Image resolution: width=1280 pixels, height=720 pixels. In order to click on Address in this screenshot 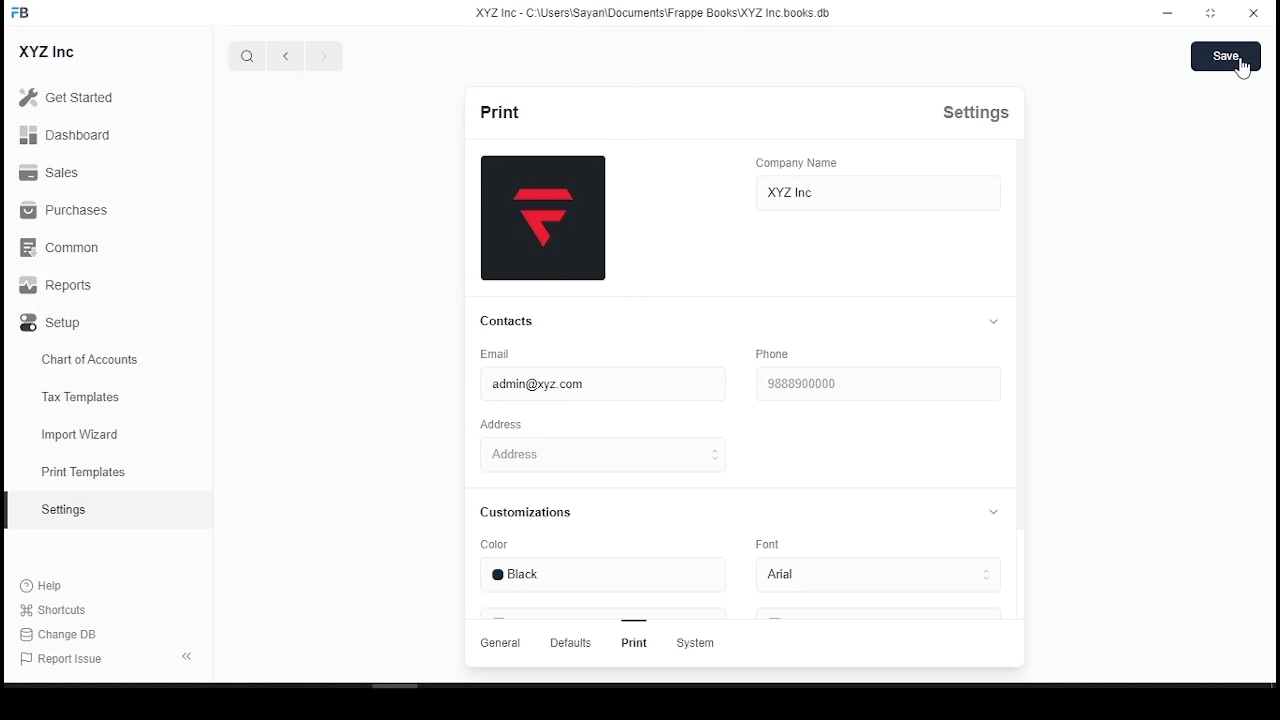, I will do `click(500, 425)`.